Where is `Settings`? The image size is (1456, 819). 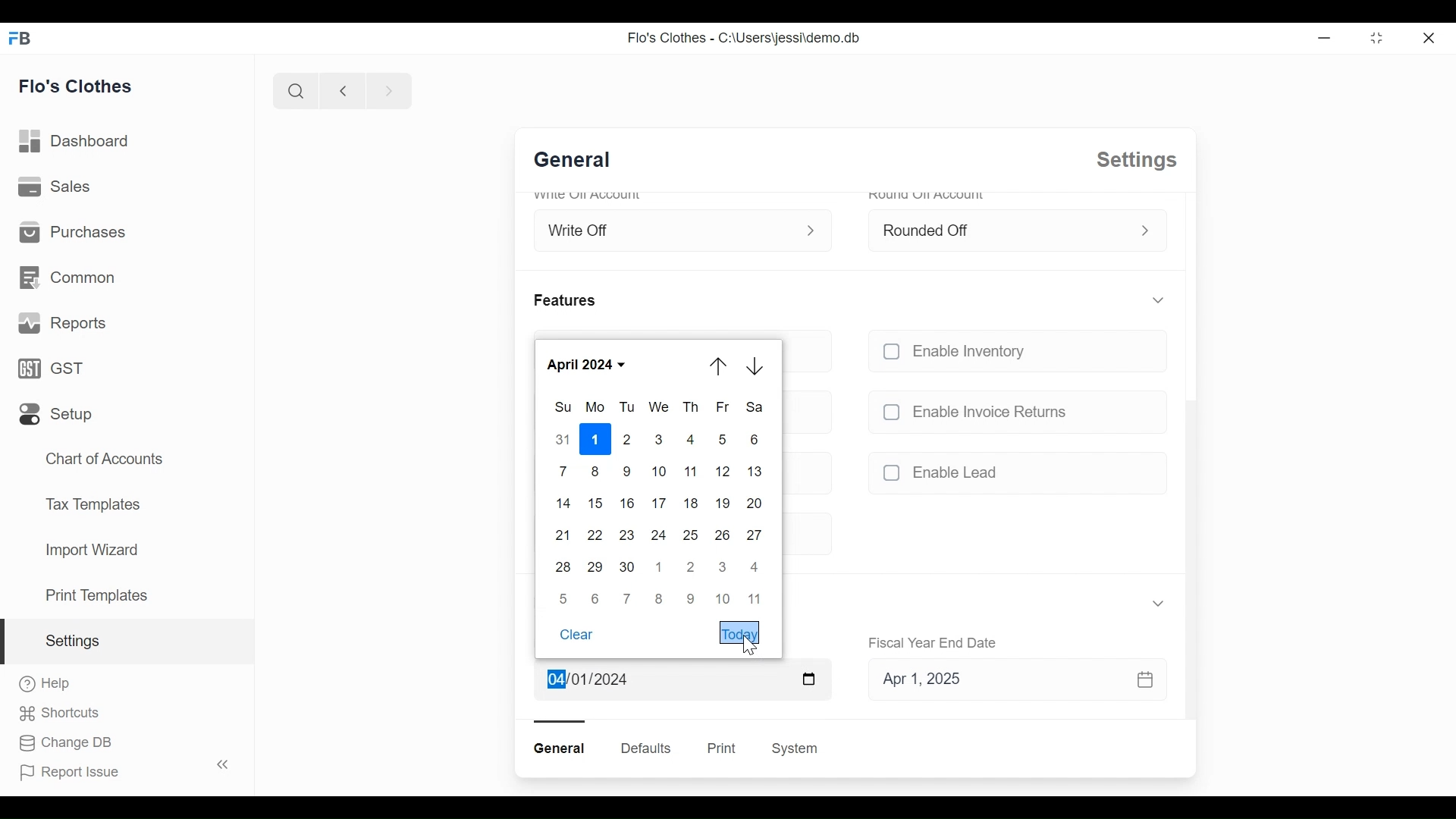
Settings is located at coordinates (127, 642).